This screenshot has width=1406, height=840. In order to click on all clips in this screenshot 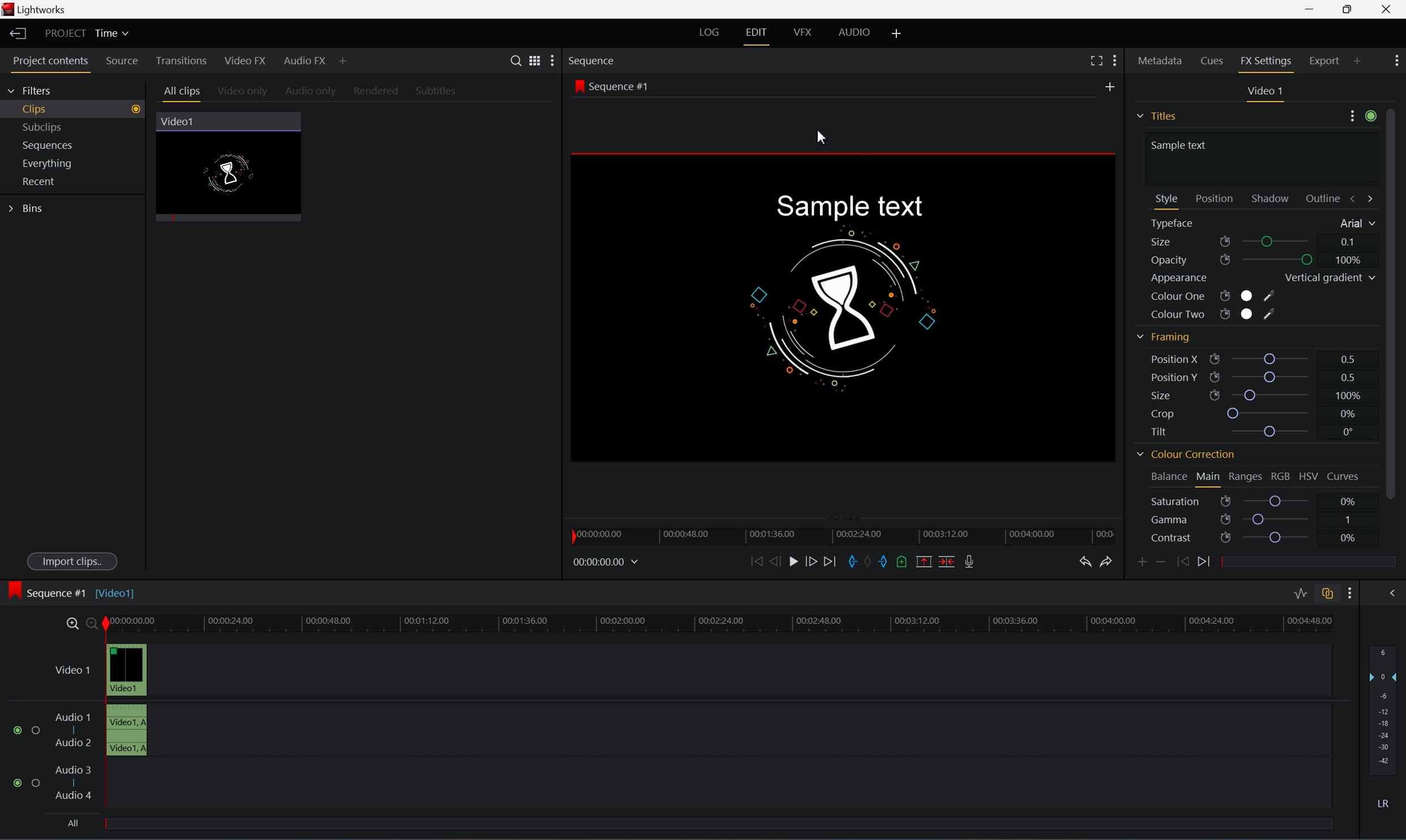, I will do `click(183, 93)`.